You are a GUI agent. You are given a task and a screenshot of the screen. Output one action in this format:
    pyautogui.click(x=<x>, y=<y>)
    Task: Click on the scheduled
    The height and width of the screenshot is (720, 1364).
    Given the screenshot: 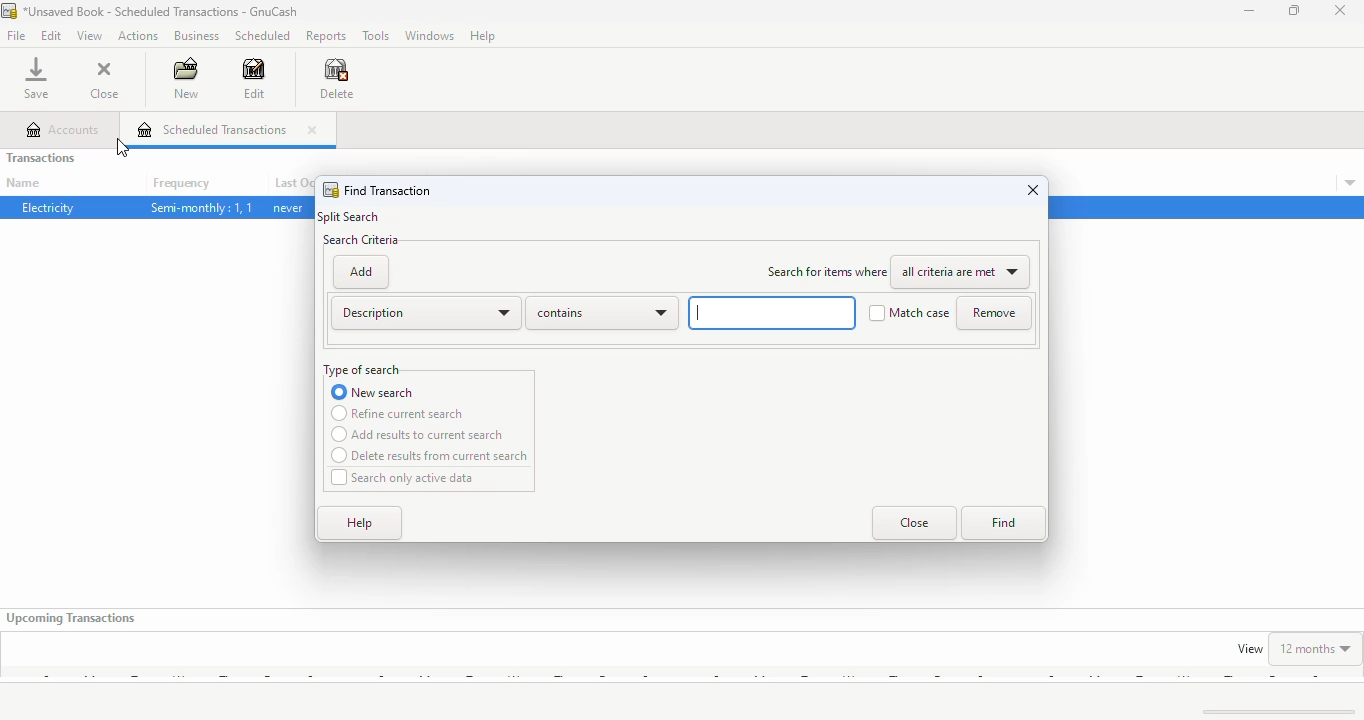 What is the action you would take?
    pyautogui.click(x=263, y=36)
    